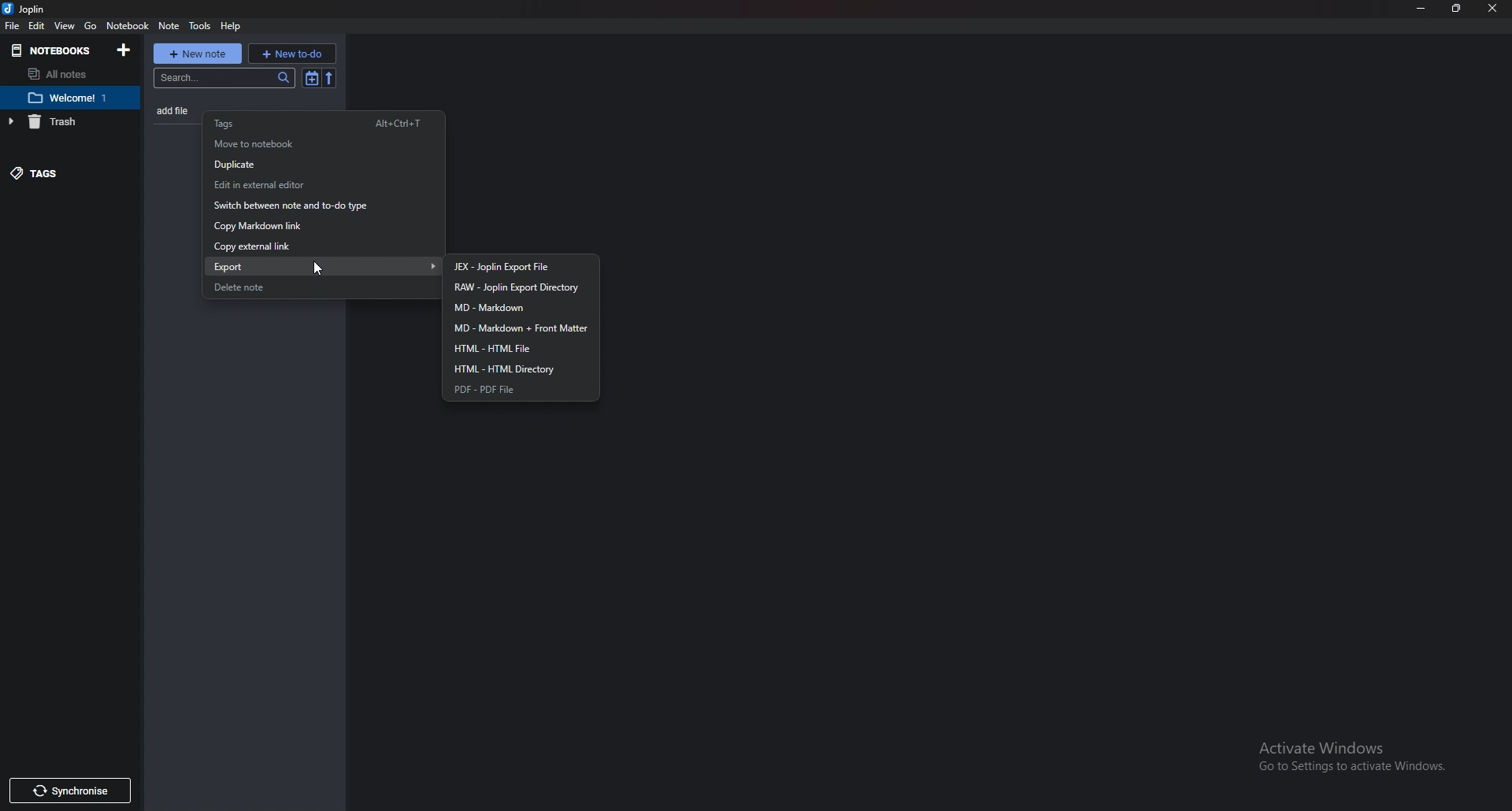 The width and height of the screenshot is (1512, 811). What do you see at coordinates (90, 24) in the screenshot?
I see `go` at bounding box center [90, 24].